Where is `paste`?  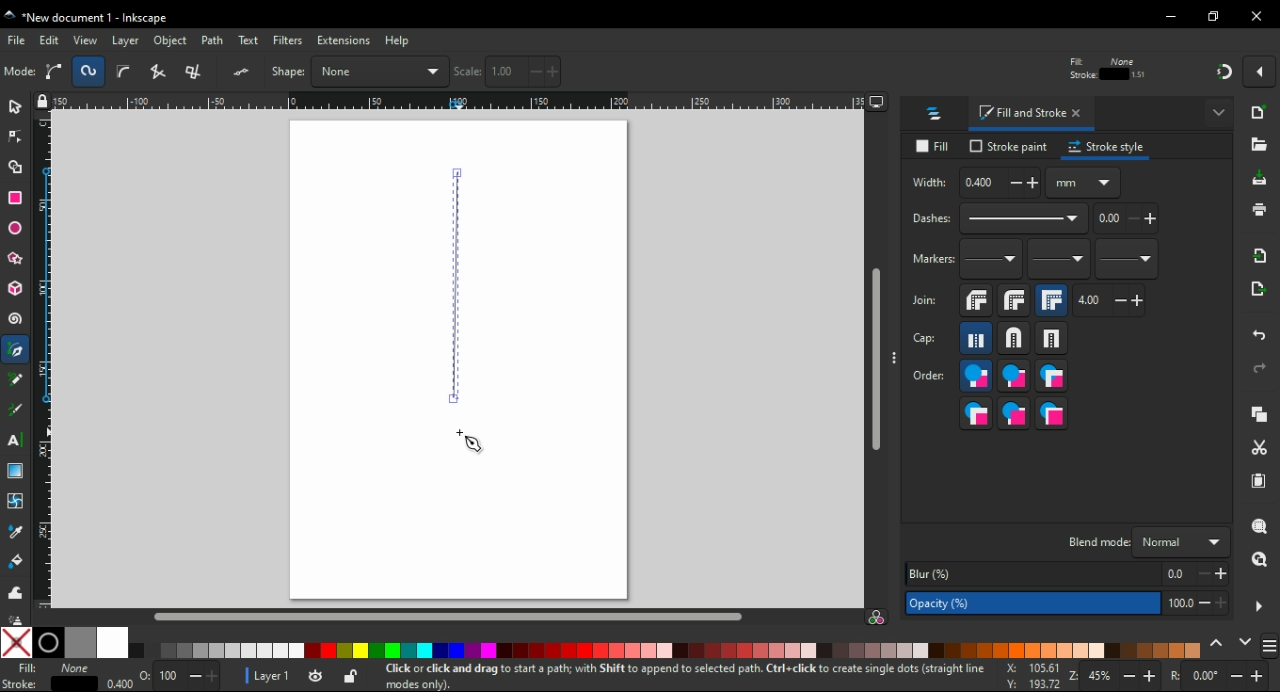
paste is located at coordinates (1258, 481).